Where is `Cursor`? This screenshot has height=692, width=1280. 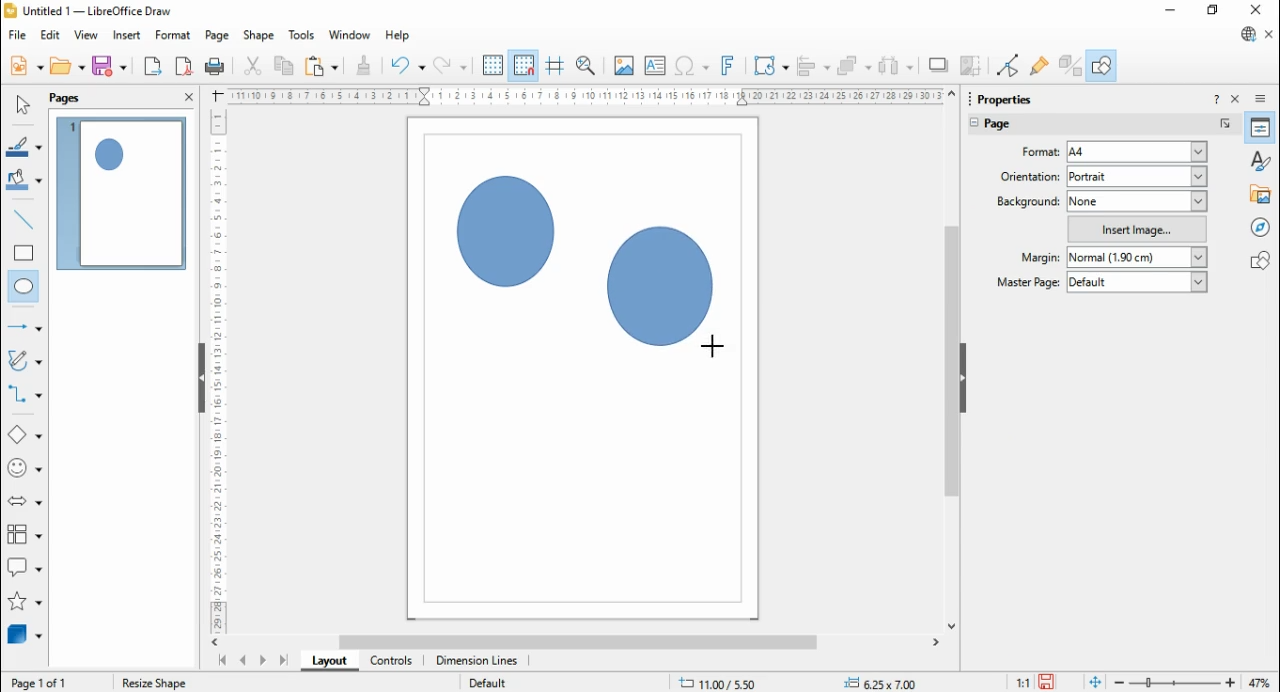
Cursor is located at coordinates (709, 347).